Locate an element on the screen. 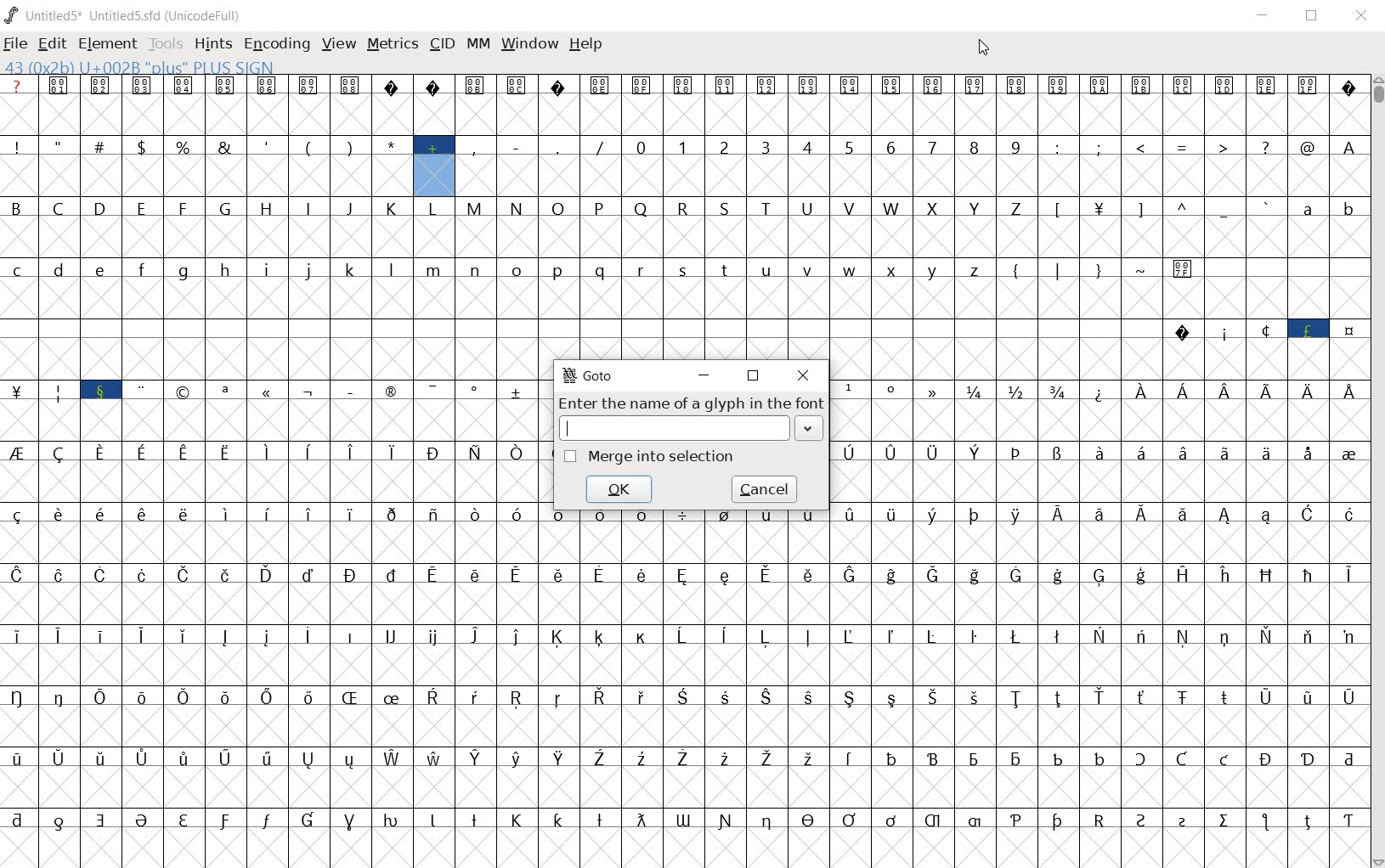 The height and width of the screenshot is (868, 1385). edit is located at coordinates (52, 43).